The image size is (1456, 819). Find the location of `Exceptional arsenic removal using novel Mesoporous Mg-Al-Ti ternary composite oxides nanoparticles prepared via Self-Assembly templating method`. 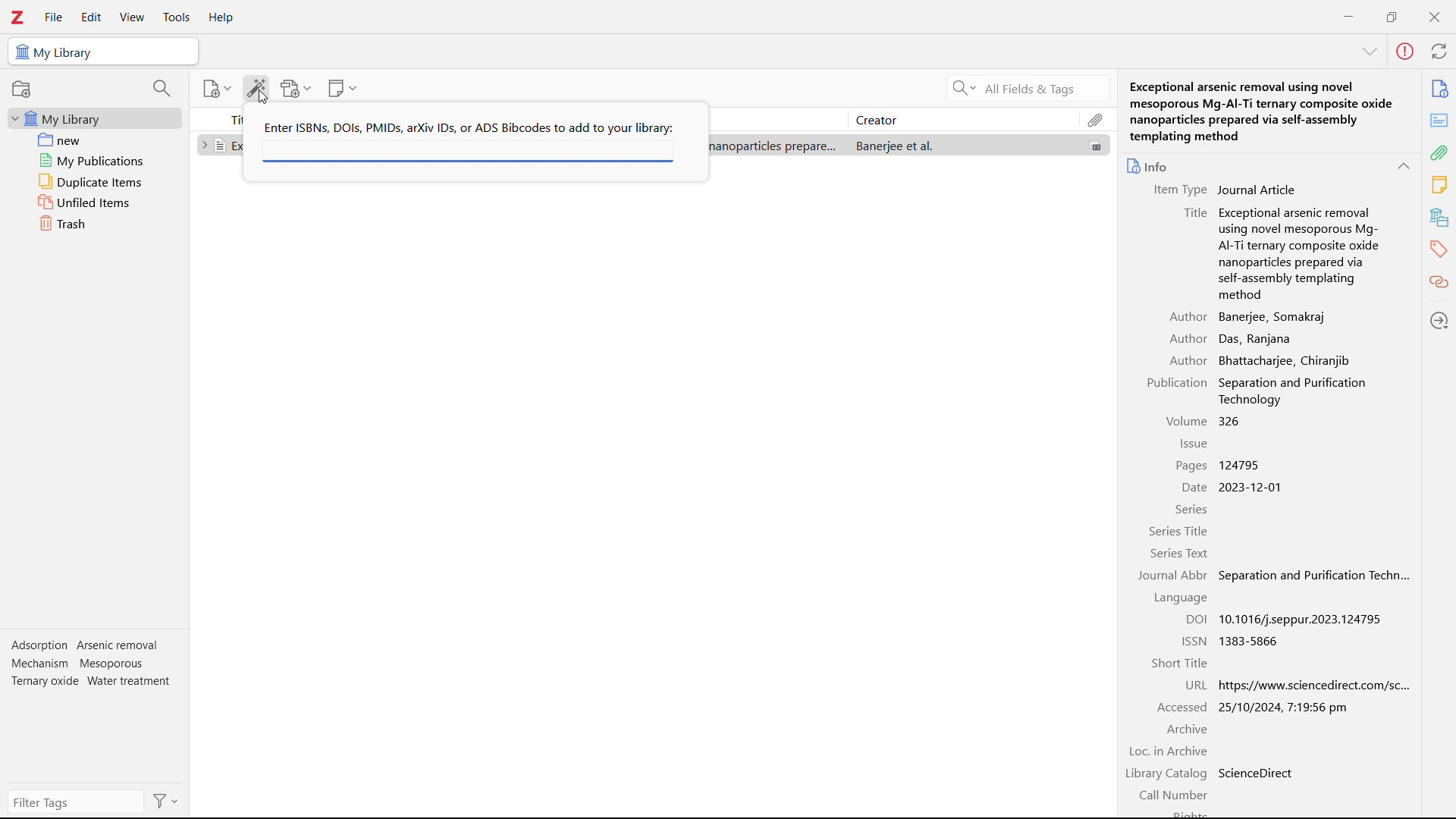

Exceptional arsenic removal using novel Mesoporous Mg-Al-Ti ternary composite oxides nanoparticles prepared via Self-Assembly templating method is located at coordinates (1270, 111).